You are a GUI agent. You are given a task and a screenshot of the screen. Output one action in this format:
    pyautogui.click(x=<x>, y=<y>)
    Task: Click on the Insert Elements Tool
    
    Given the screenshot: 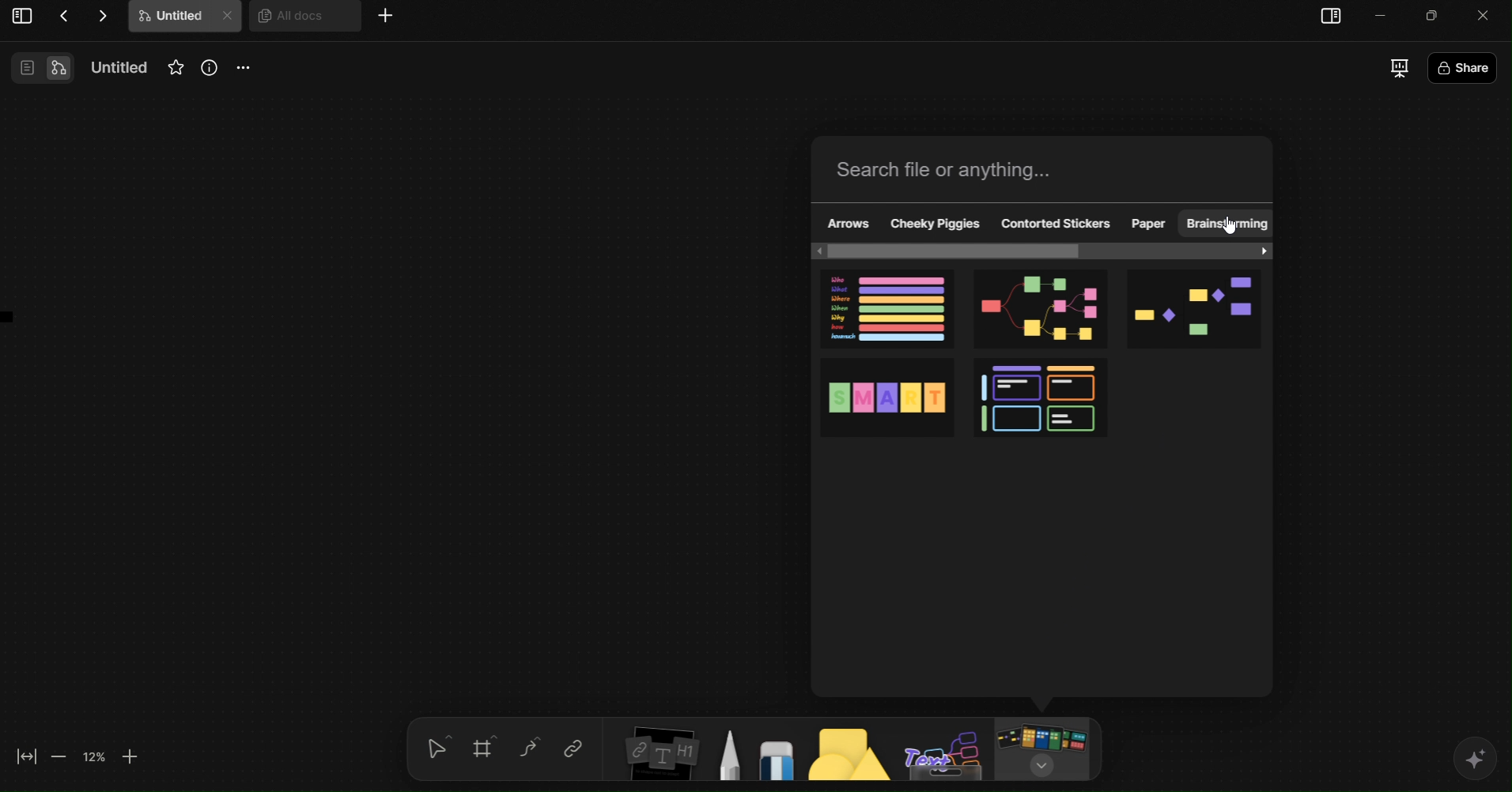 What is the action you would take?
    pyautogui.click(x=659, y=756)
    